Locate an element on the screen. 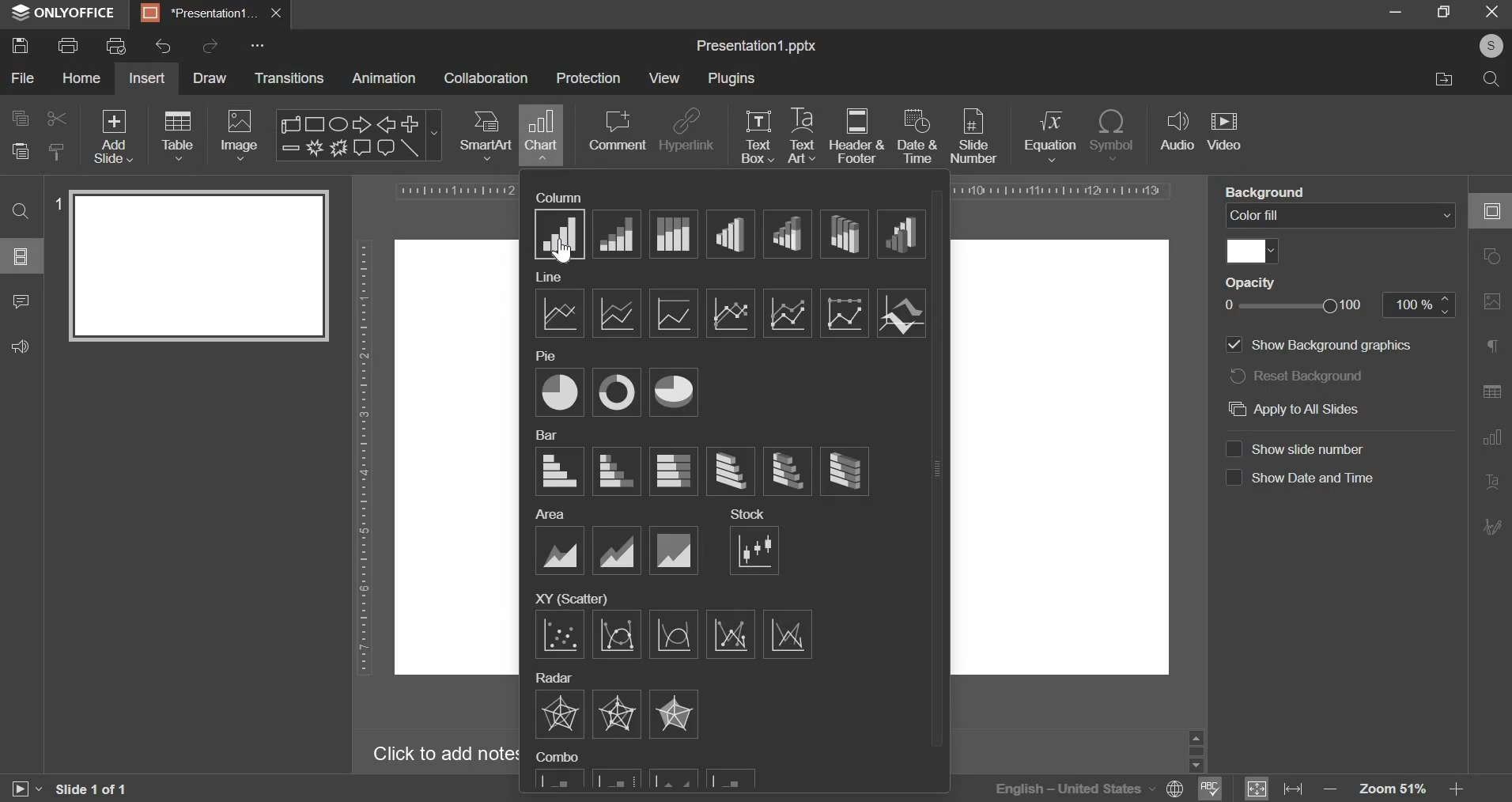 The image size is (1512, 802). check box is located at coordinates (1234, 478).